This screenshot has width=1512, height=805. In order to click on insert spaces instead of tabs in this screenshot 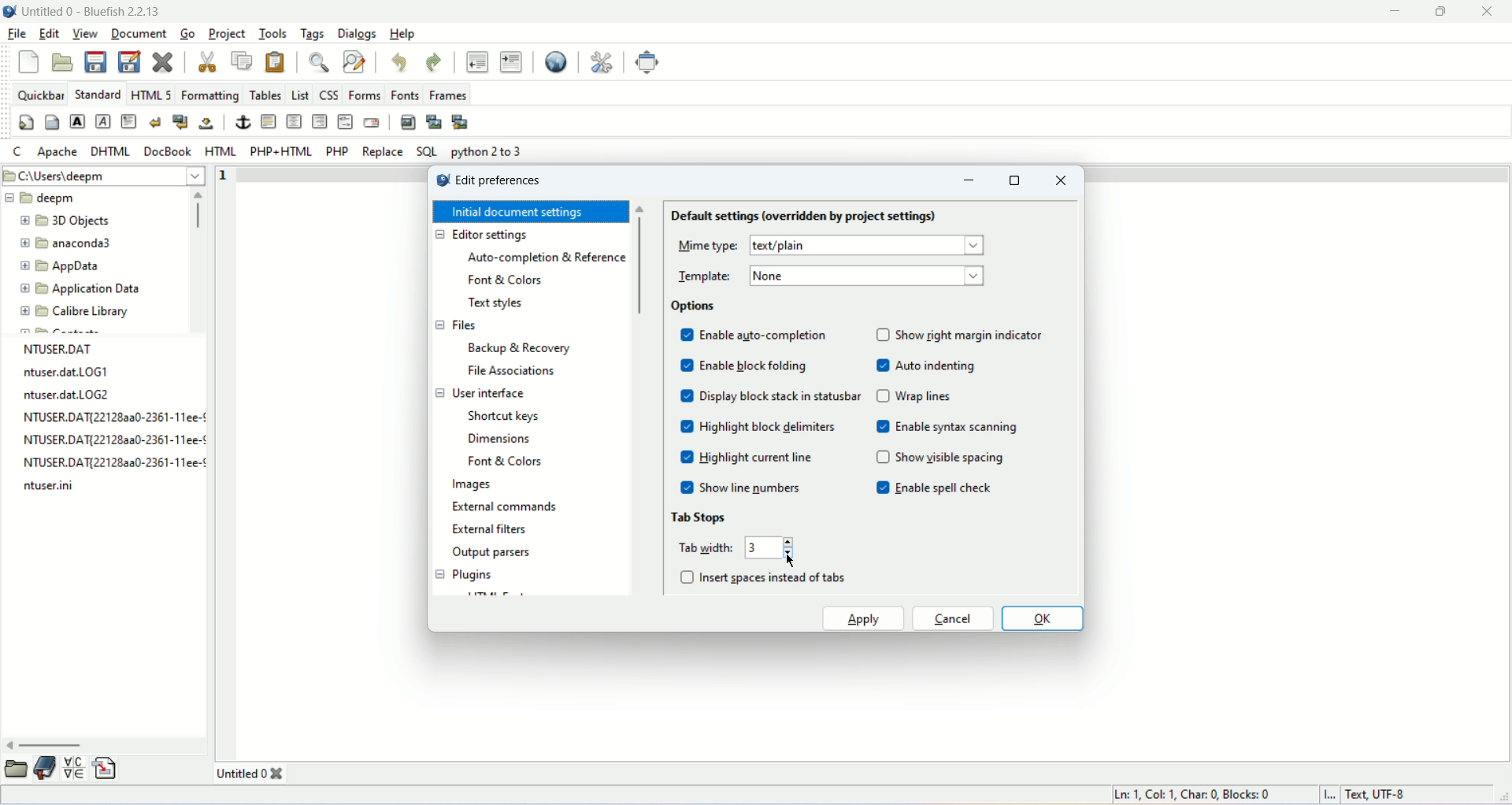, I will do `click(776, 579)`.